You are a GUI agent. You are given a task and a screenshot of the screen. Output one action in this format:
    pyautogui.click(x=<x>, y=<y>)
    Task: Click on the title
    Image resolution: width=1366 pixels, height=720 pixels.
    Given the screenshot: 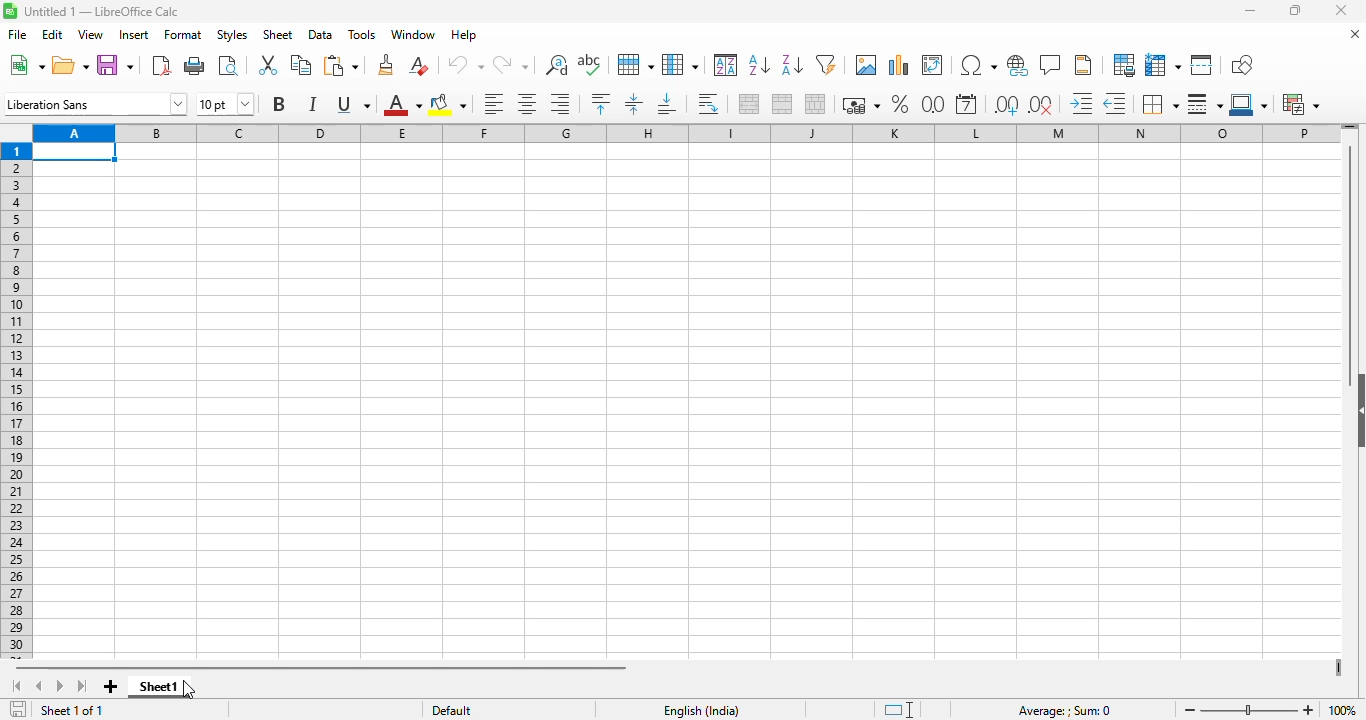 What is the action you would take?
    pyautogui.click(x=102, y=11)
    